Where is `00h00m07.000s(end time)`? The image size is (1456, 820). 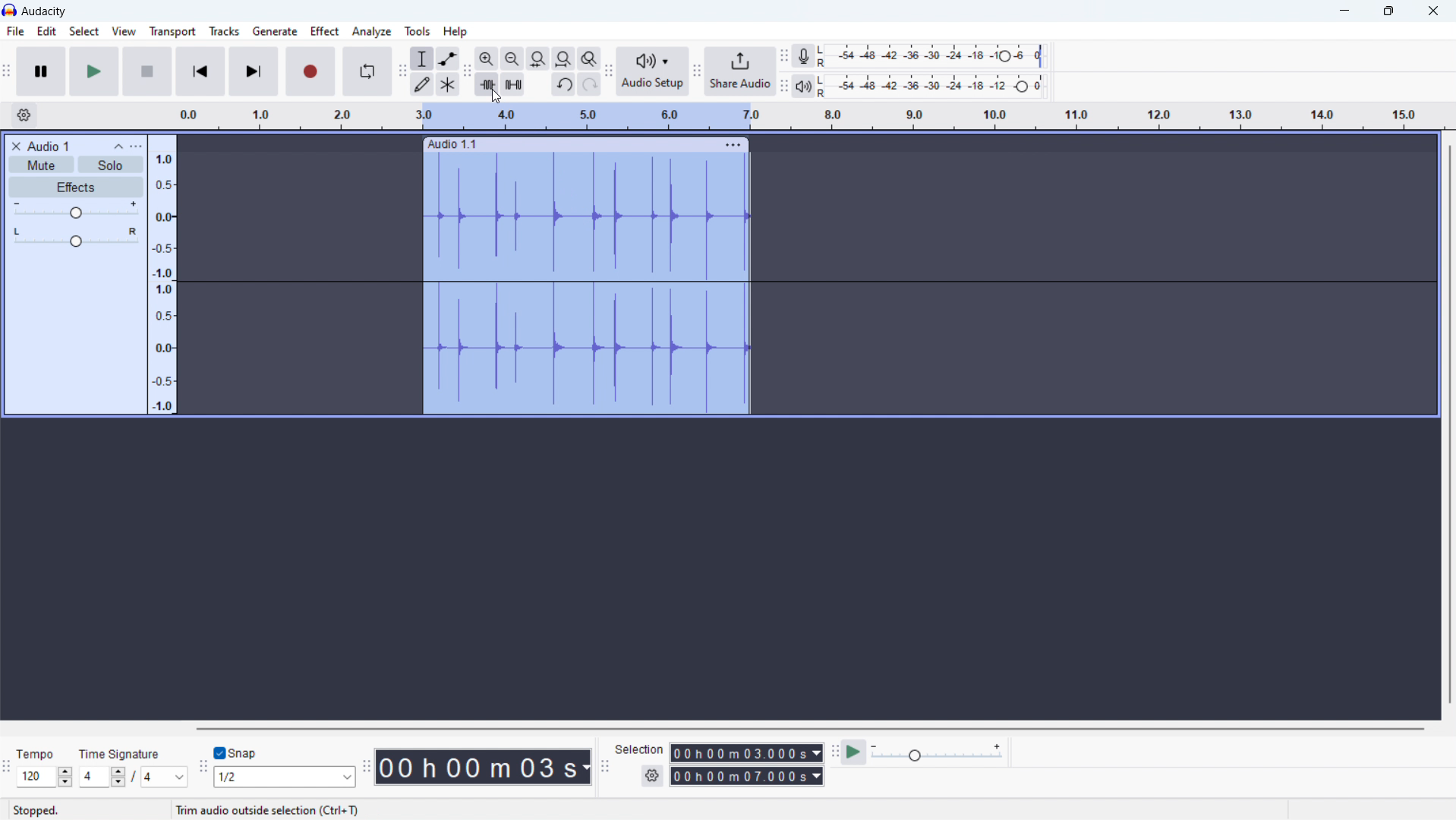 00h00m07.000s(end time) is located at coordinates (746, 776).